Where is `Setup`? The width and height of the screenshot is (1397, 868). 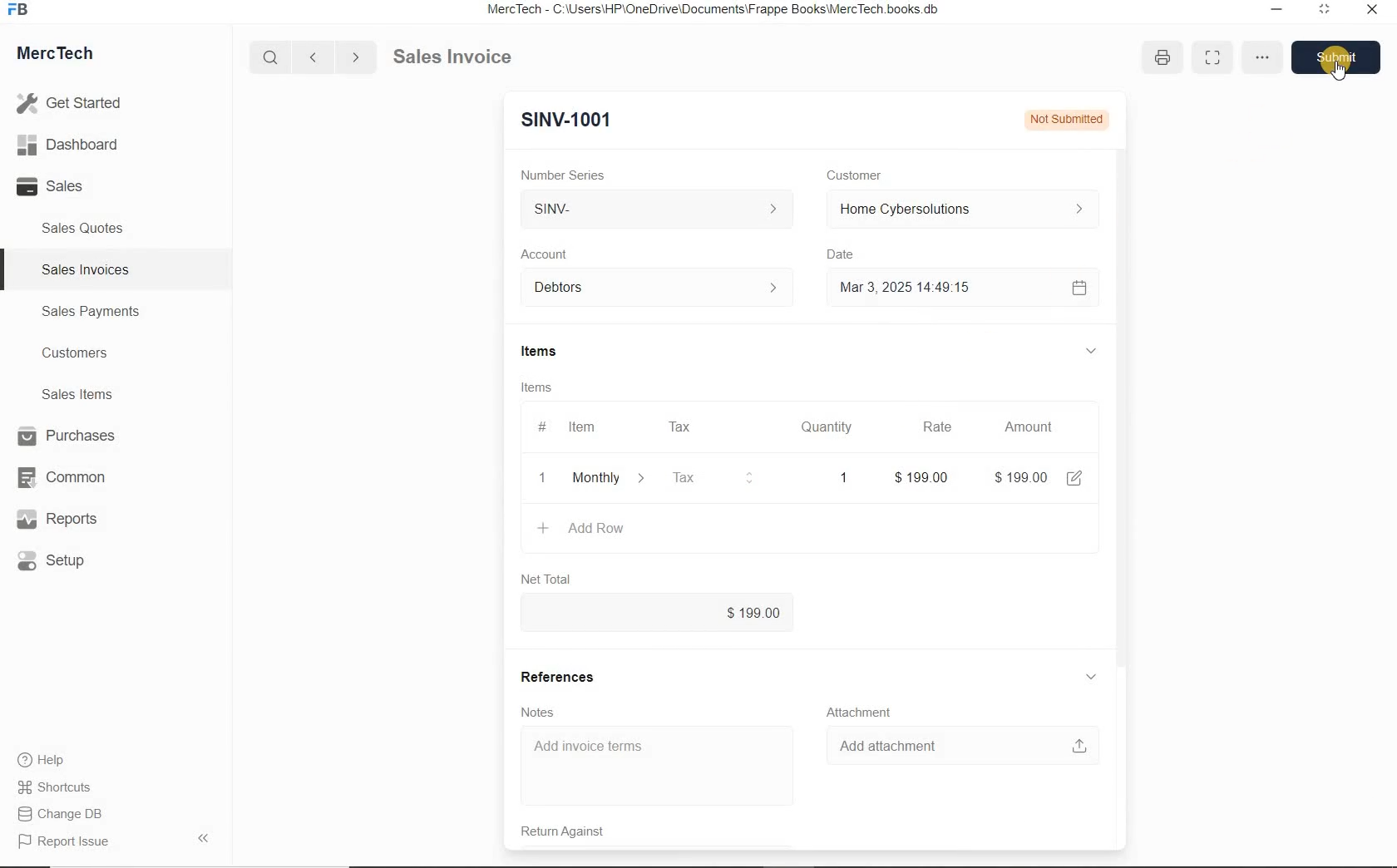
Setup is located at coordinates (70, 560).